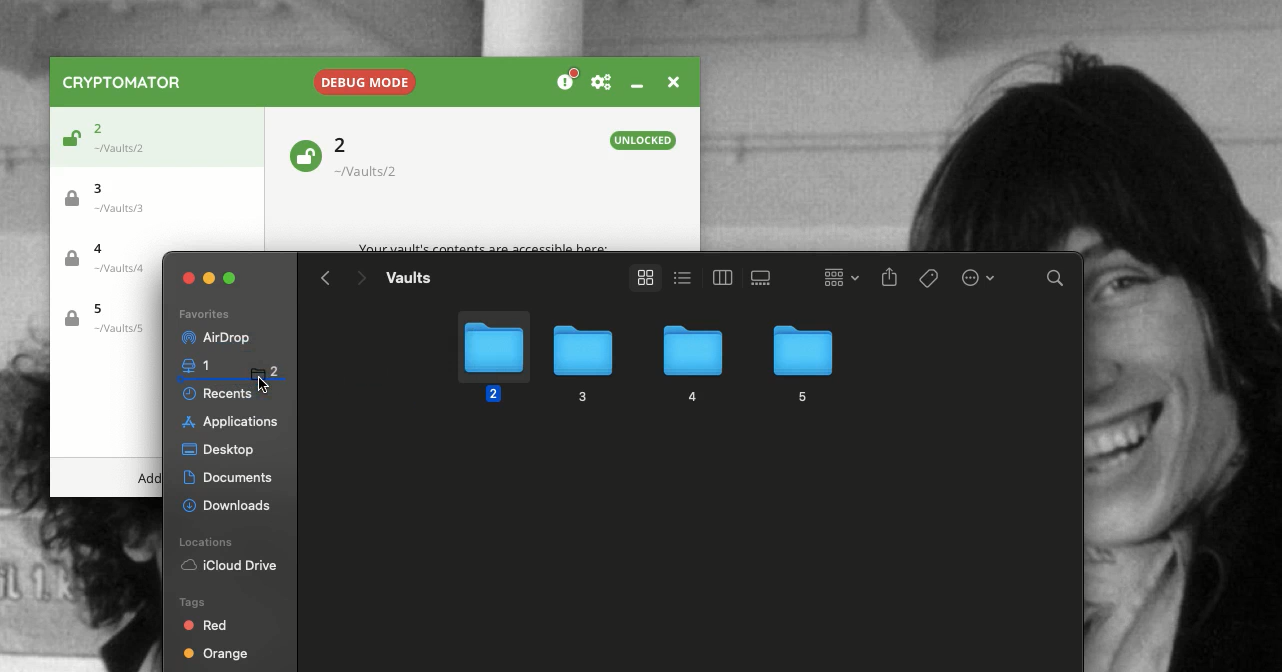 This screenshot has width=1282, height=672. What do you see at coordinates (360, 280) in the screenshot?
I see `Forward` at bounding box center [360, 280].